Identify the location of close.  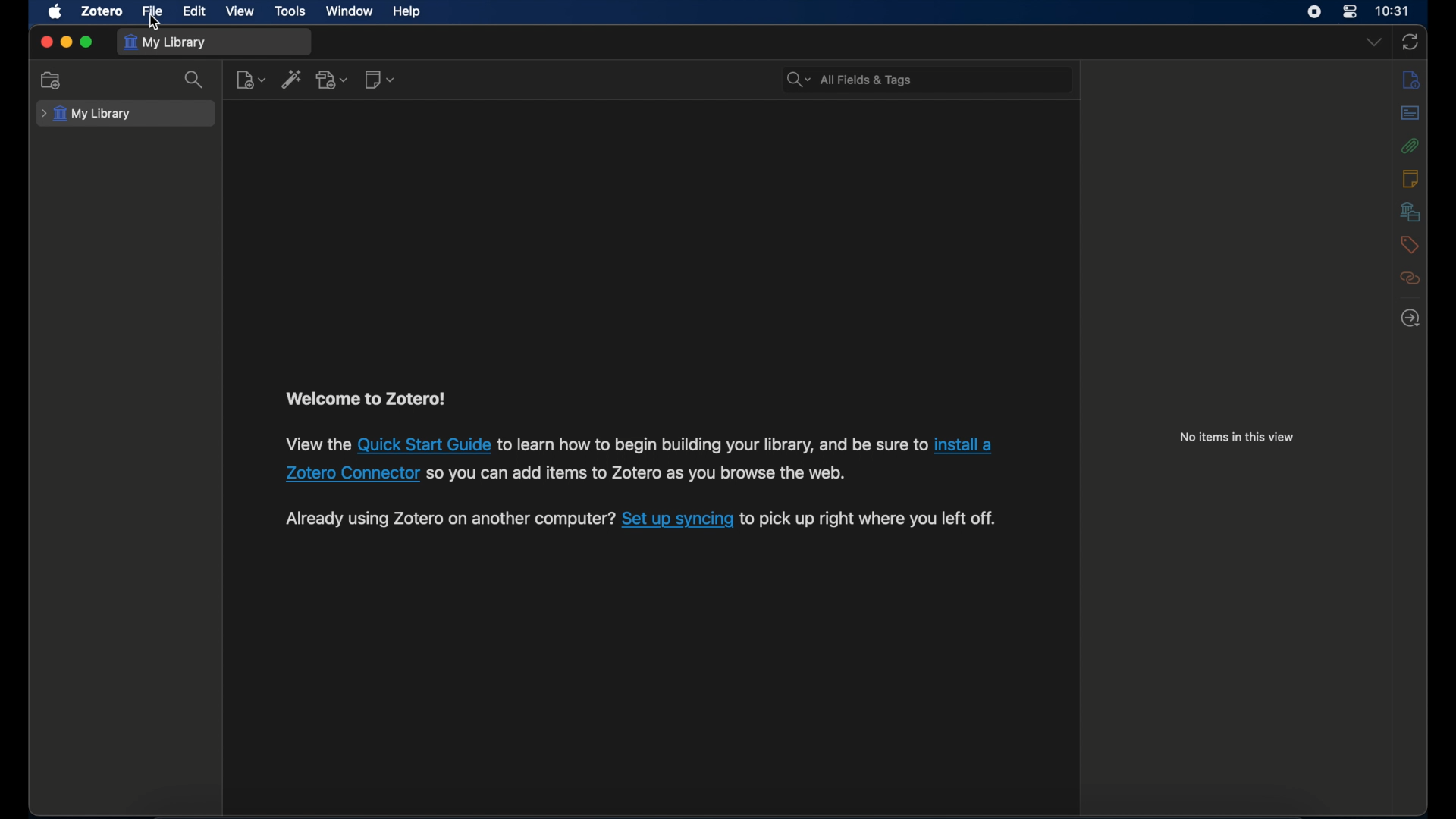
(45, 43).